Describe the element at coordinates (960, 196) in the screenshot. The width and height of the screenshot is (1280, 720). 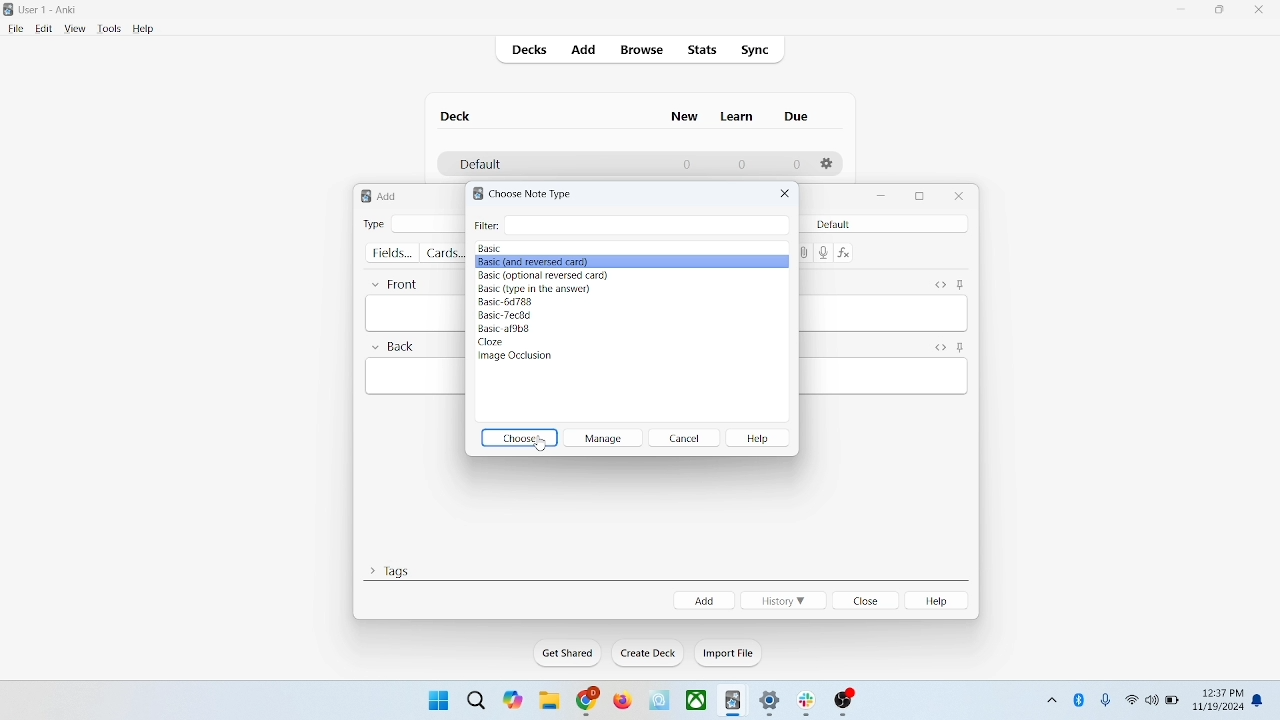
I see `close` at that location.